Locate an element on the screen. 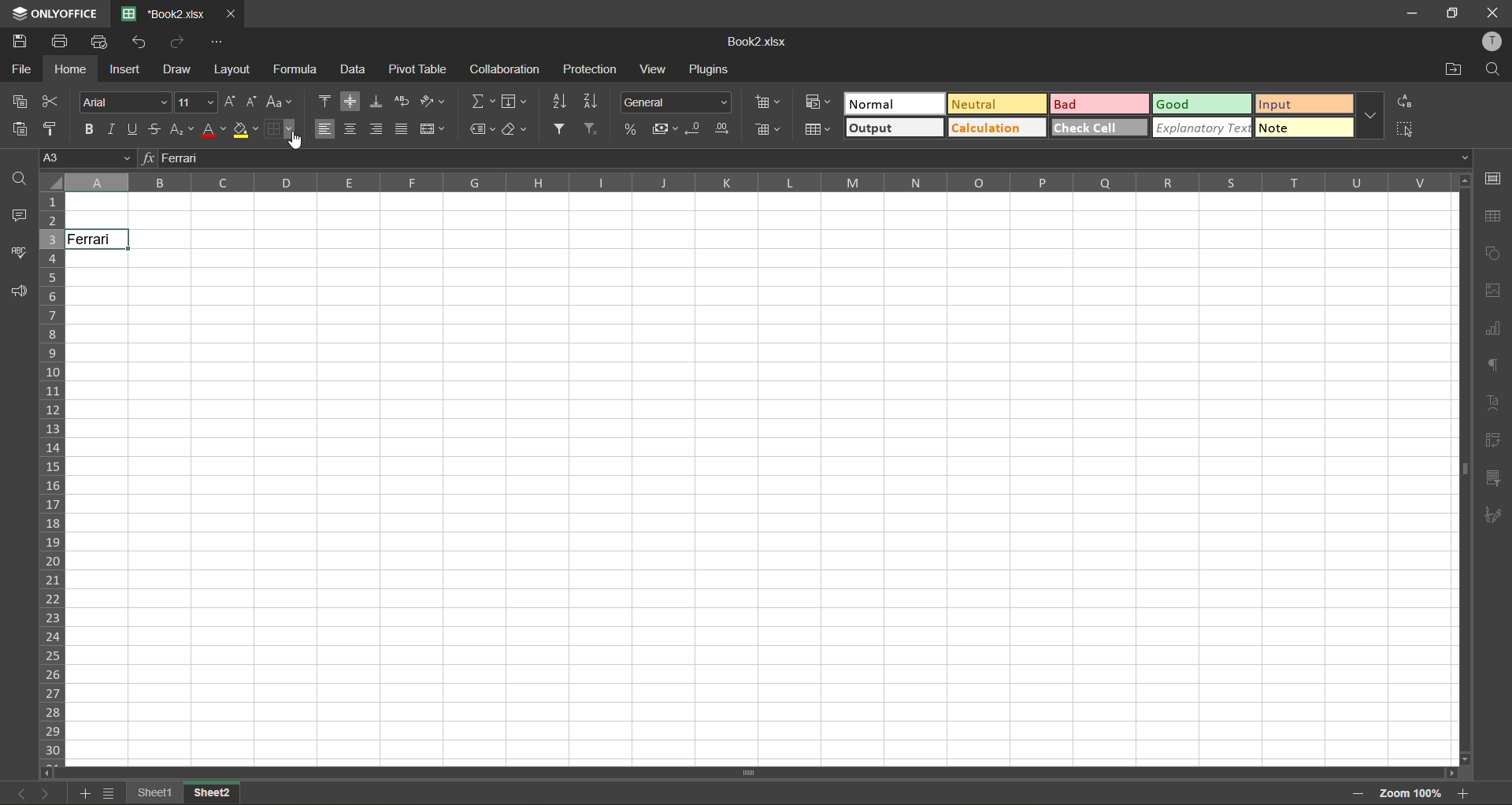 The image size is (1512, 805). copy style is located at coordinates (53, 128).